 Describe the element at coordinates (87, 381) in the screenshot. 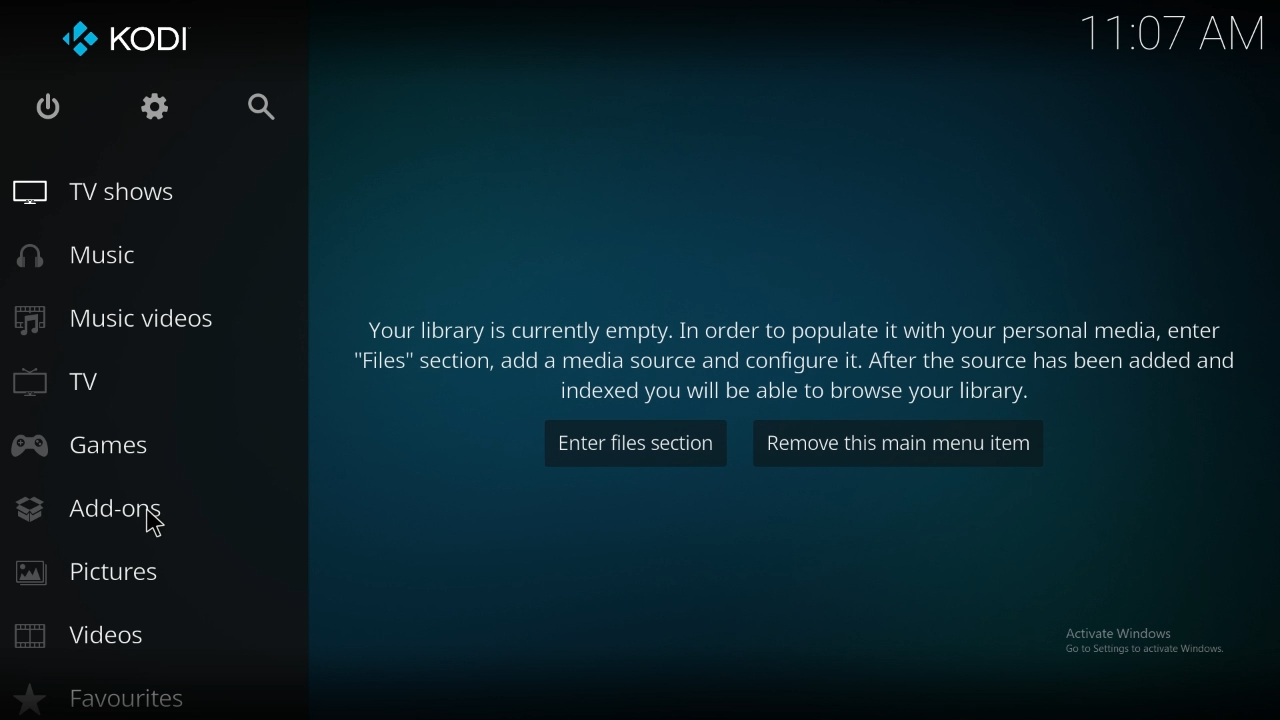

I see `tv` at that location.